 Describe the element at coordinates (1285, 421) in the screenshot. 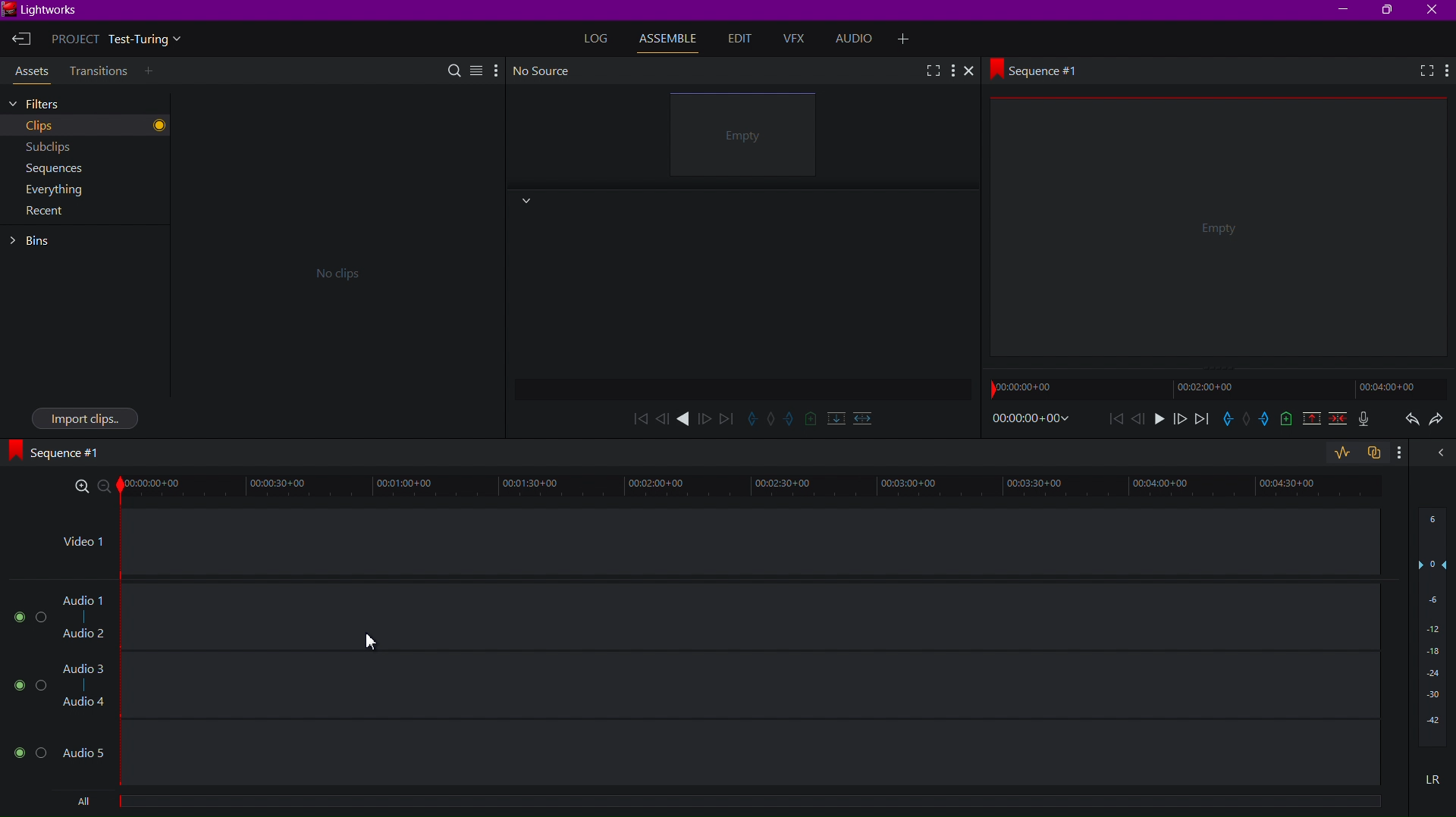

I see `new` at that location.